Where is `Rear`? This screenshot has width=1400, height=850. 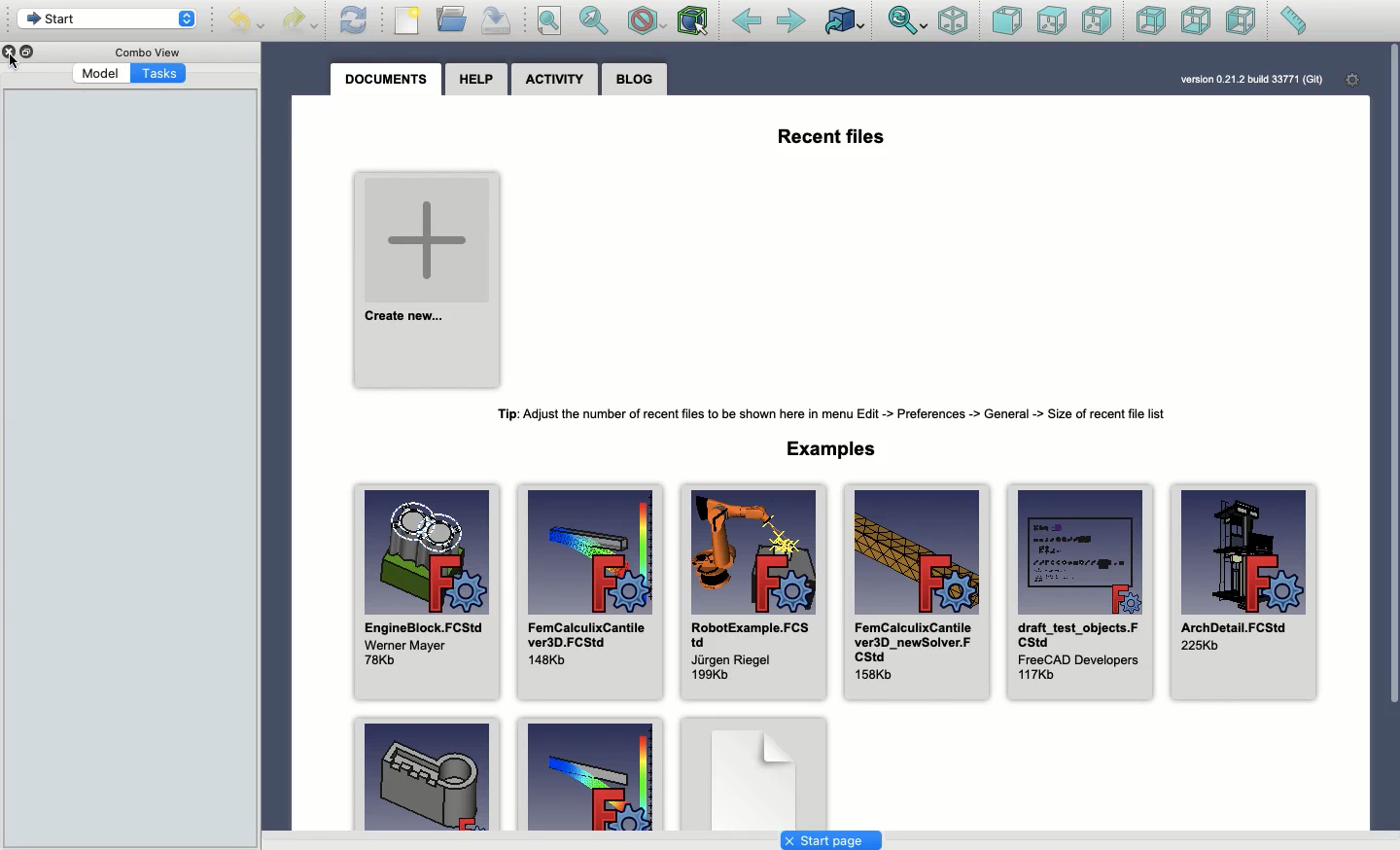 Rear is located at coordinates (1150, 20).